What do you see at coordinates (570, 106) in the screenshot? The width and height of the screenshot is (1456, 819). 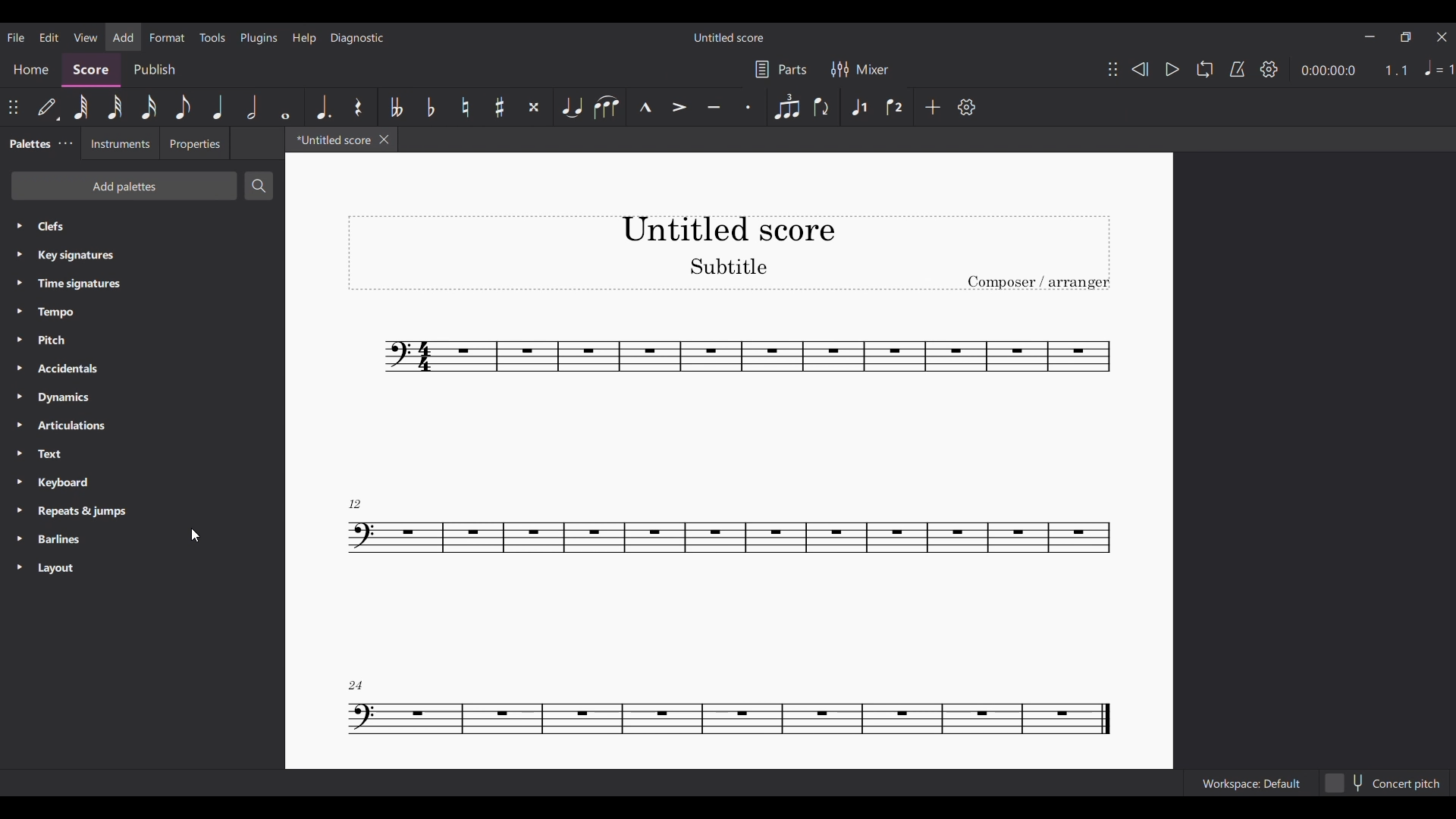 I see `Toggle natural` at bounding box center [570, 106].